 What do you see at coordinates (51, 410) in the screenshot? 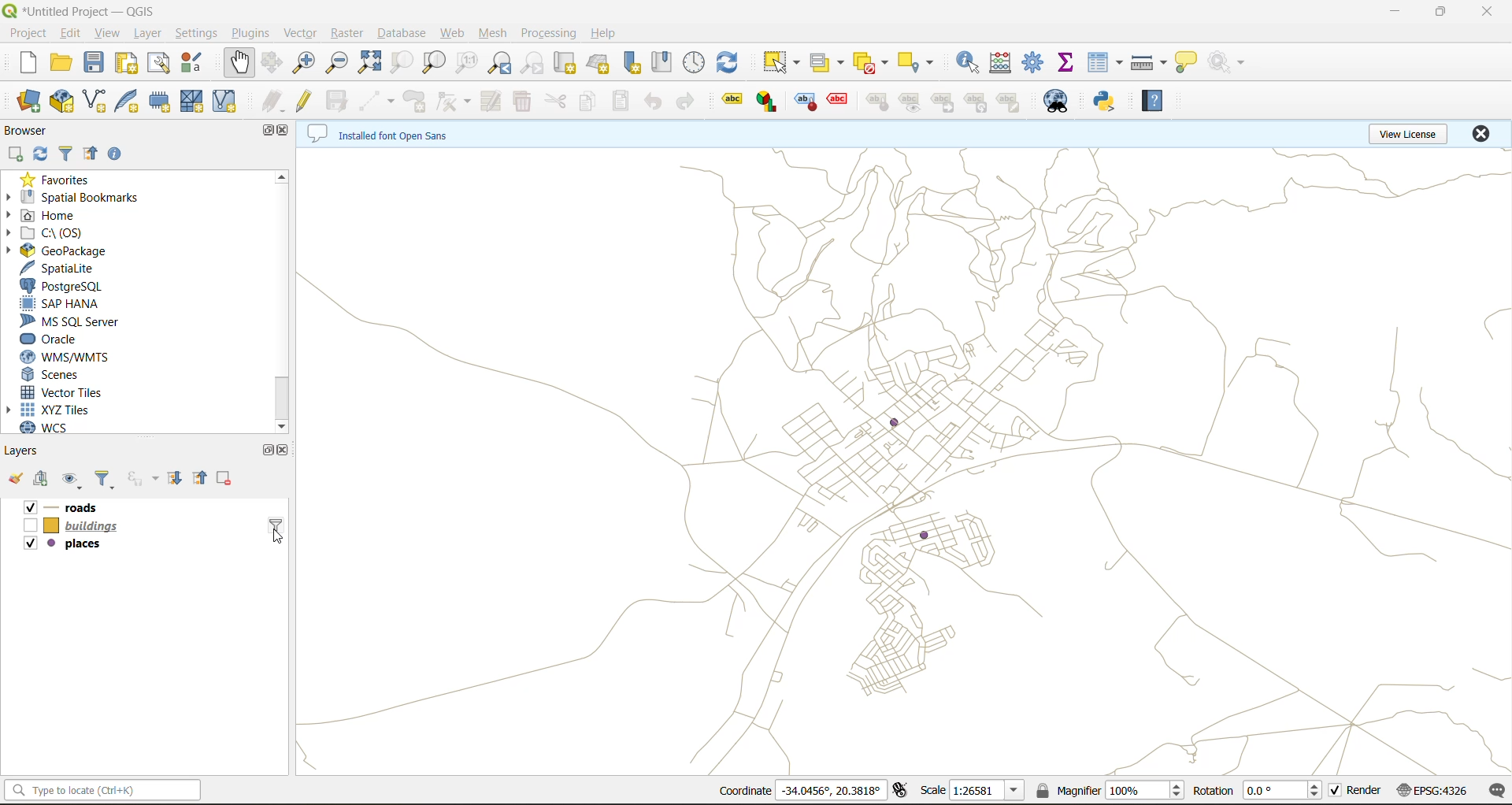
I see `xyz tiles` at bounding box center [51, 410].